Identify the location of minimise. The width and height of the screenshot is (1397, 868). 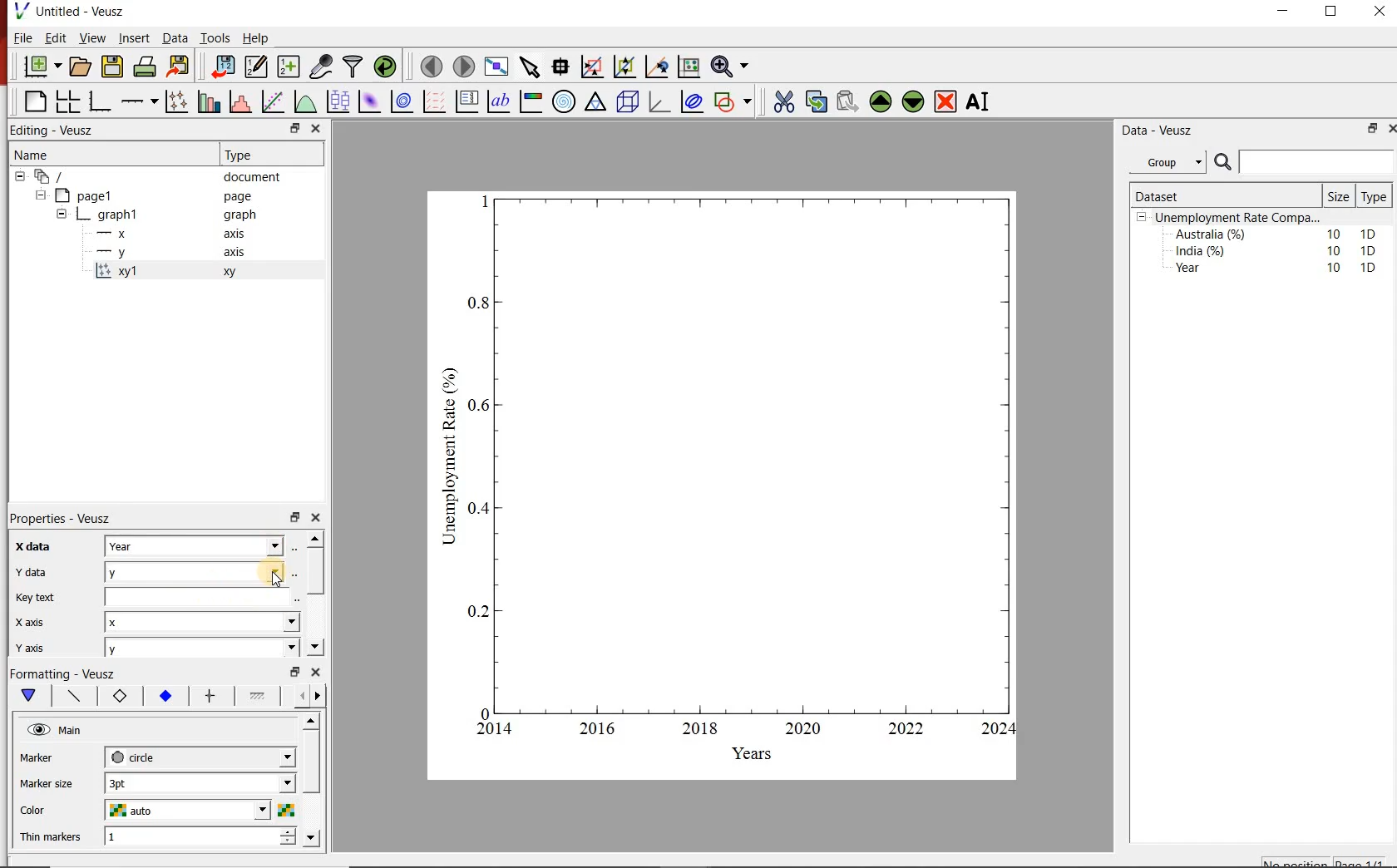
(1371, 128).